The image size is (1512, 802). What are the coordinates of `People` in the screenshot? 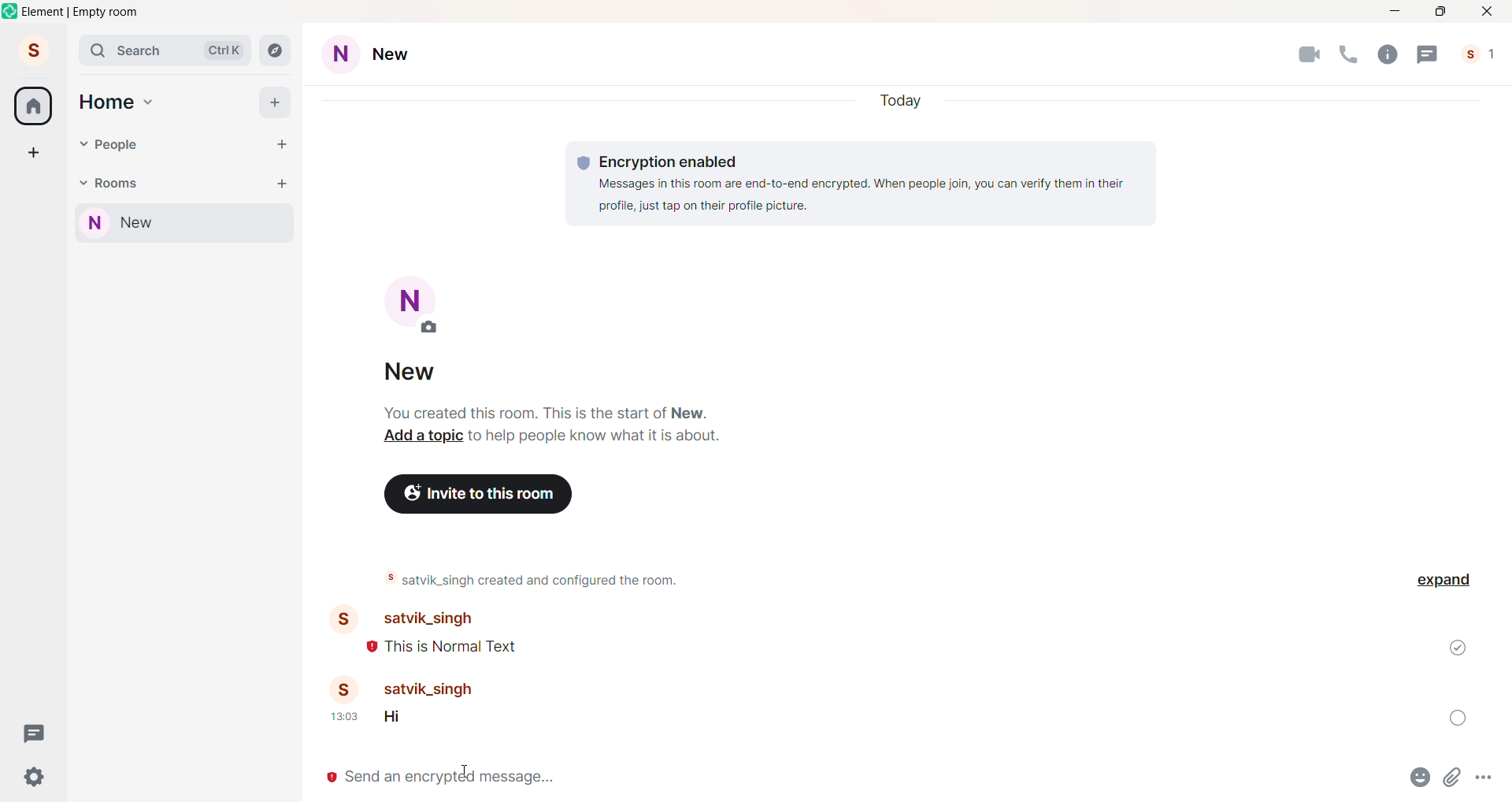 It's located at (1482, 54).